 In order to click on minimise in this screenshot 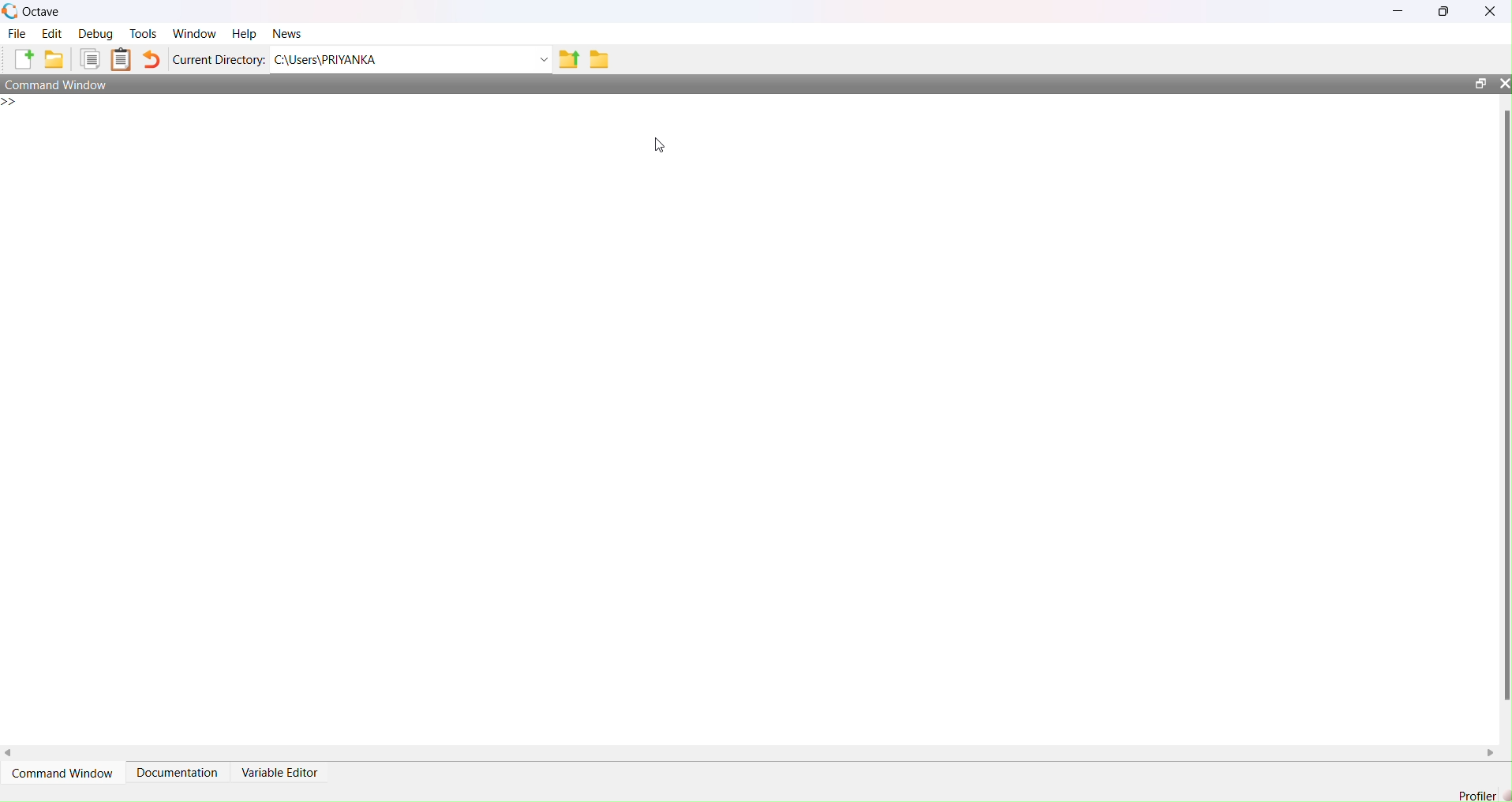, I will do `click(1394, 12)`.